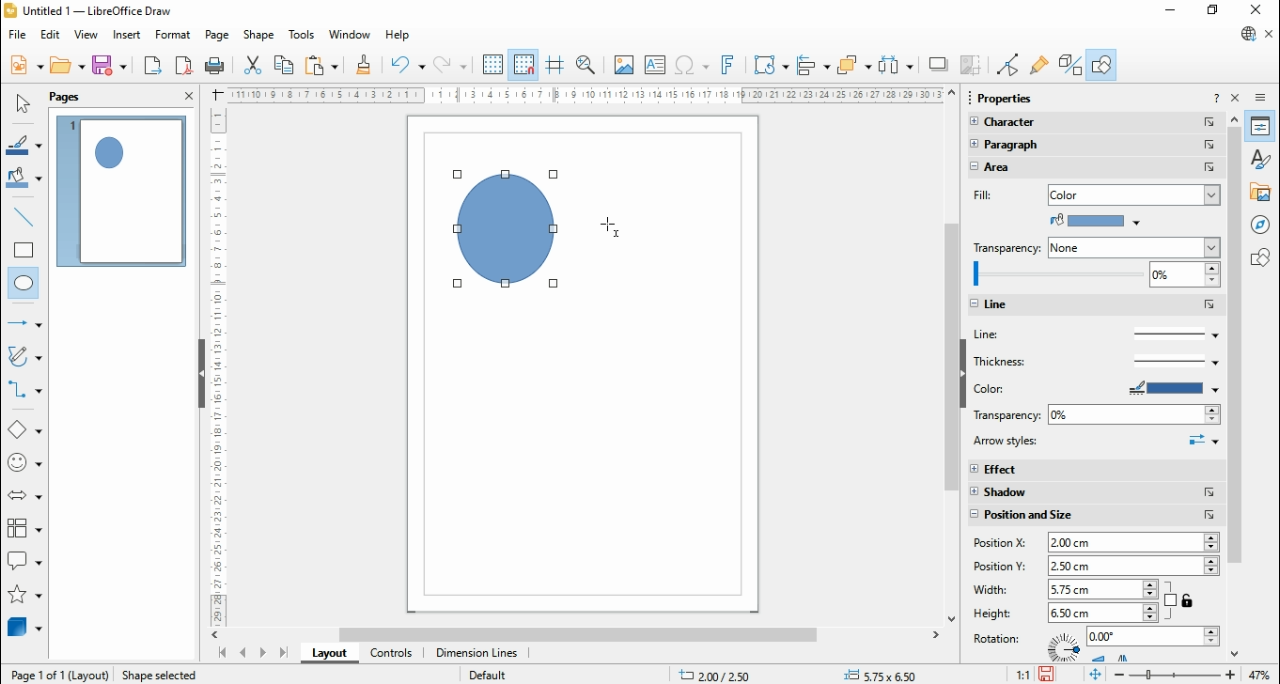  I want to click on navigator, so click(1264, 224).